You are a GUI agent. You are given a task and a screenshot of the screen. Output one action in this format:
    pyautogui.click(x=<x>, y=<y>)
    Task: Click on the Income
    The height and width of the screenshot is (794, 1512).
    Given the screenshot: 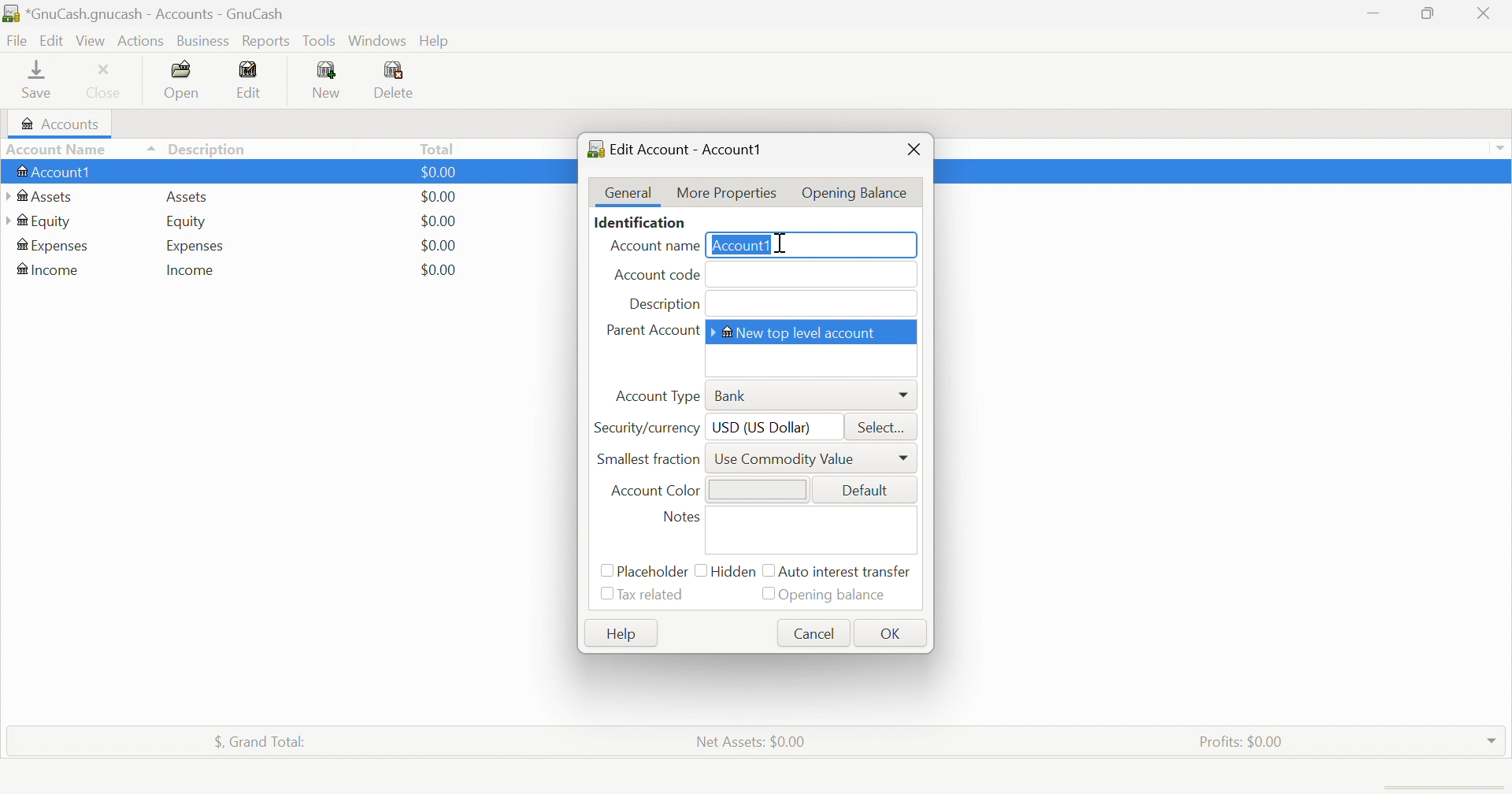 What is the action you would take?
    pyautogui.click(x=191, y=273)
    